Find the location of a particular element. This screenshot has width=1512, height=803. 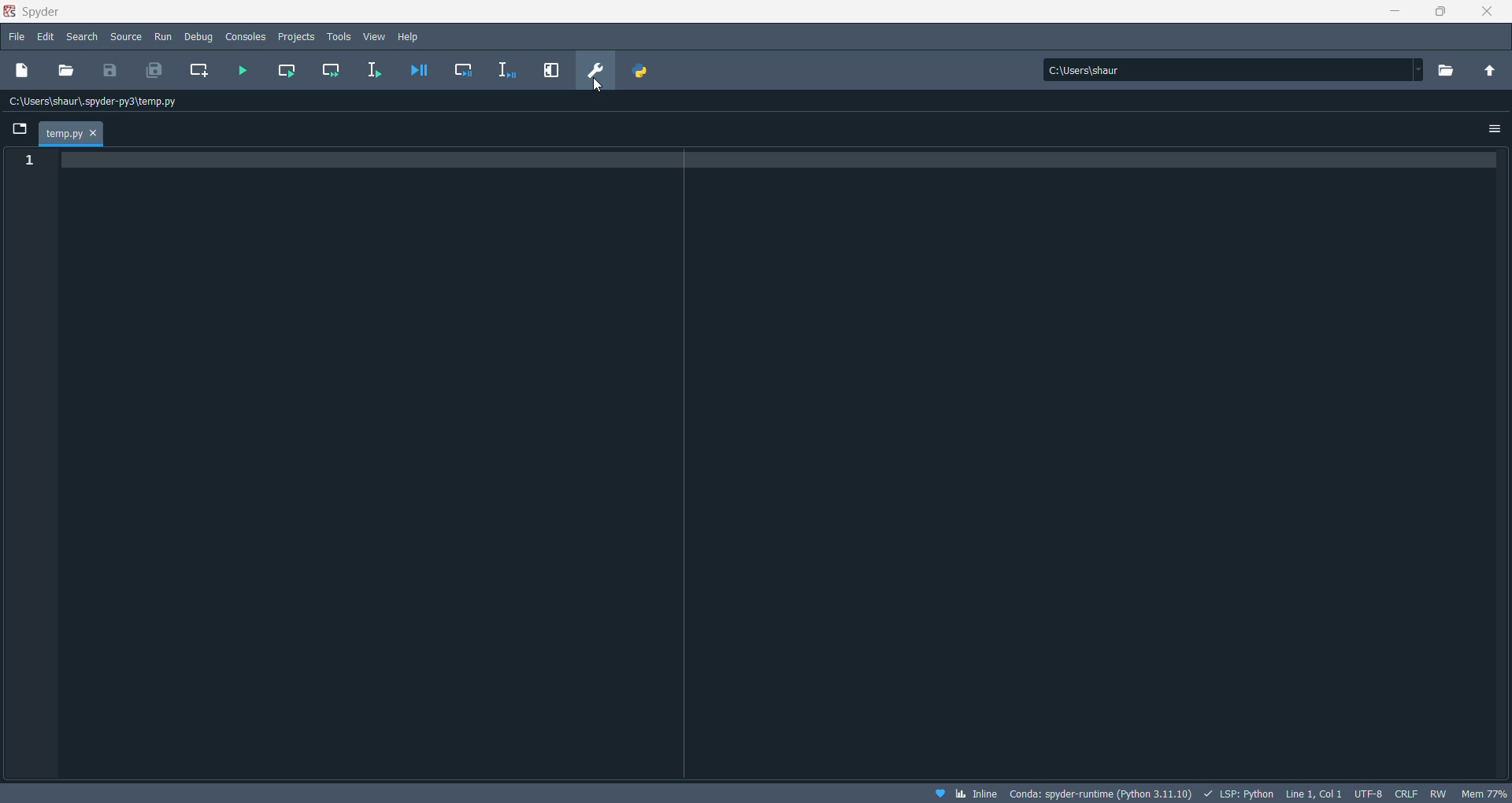

file is located at coordinates (16, 35).